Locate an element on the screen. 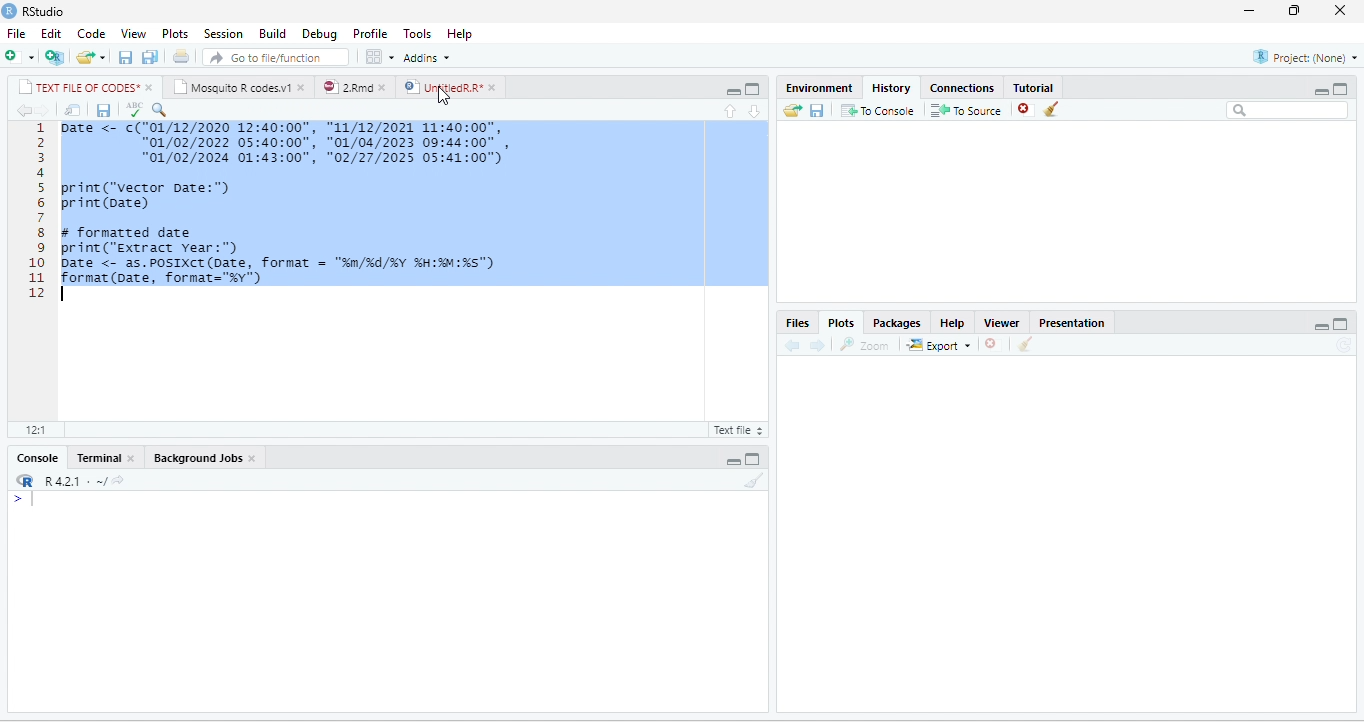 The image size is (1364, 722). Terminal  is located at coordinates (97, 458).